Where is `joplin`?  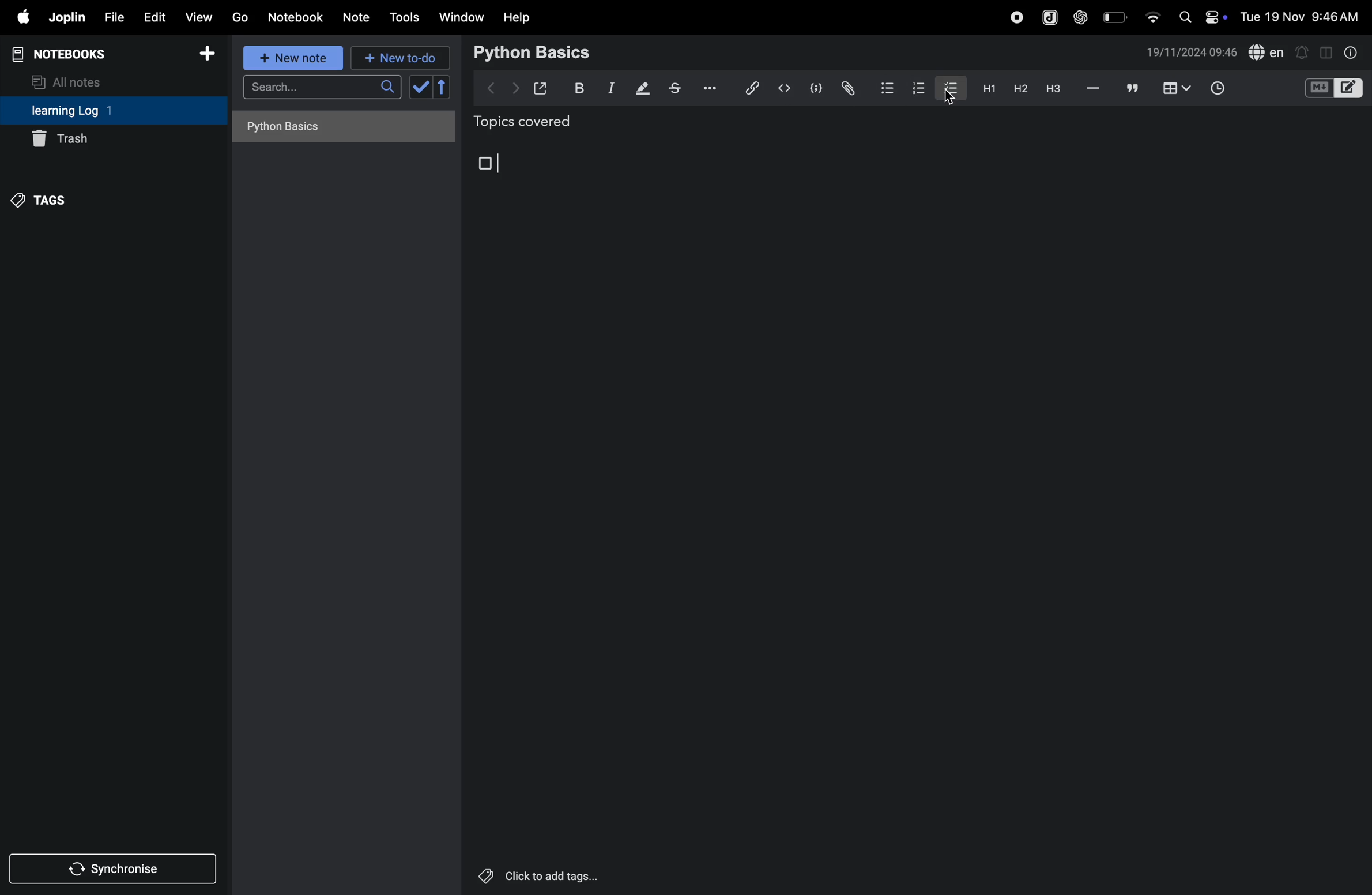 joplin is located at coordinates (1048, 17).